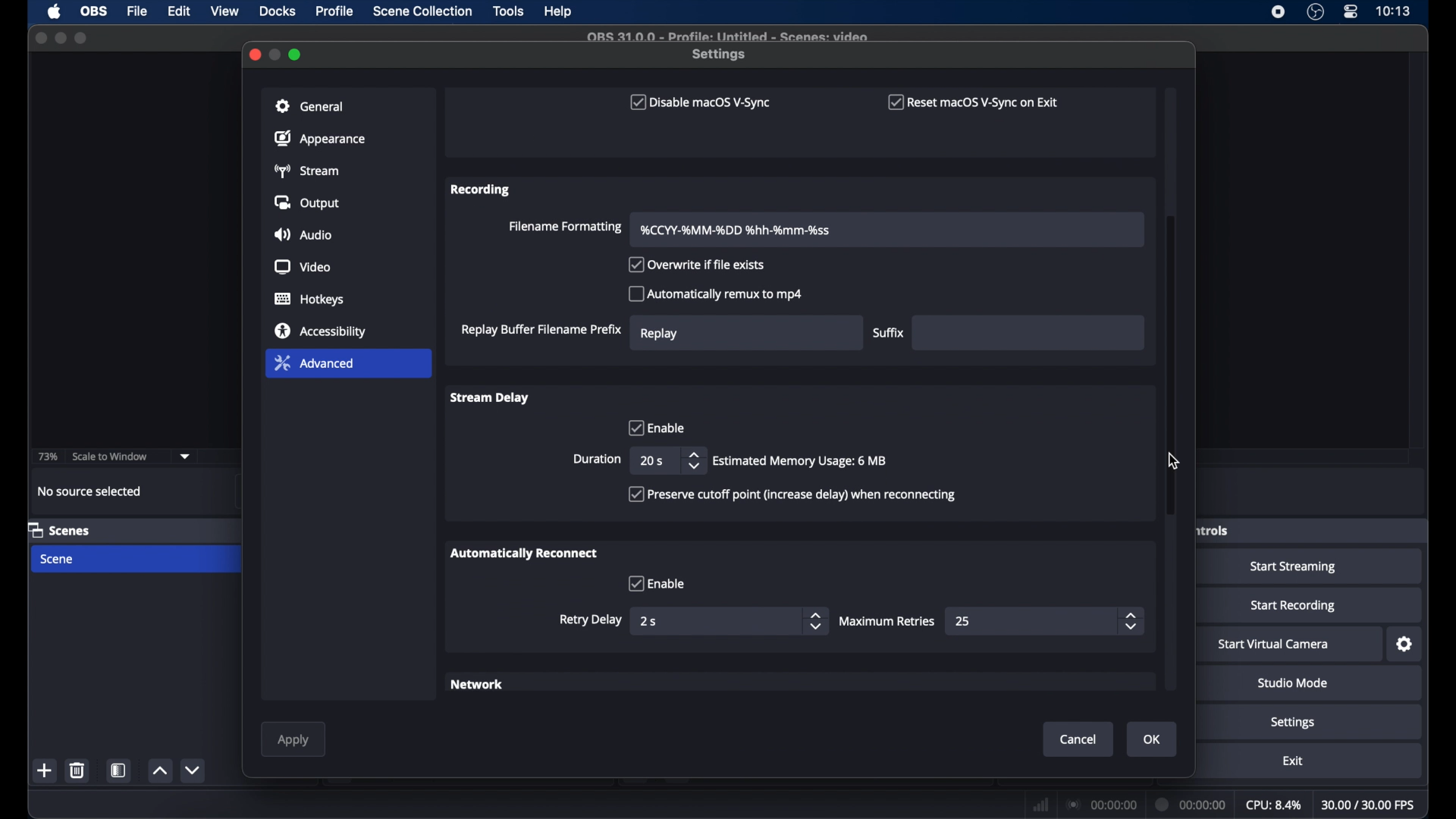 Image resolution: width=1456 pixels, height=819 pixels. I want to click on close, so click(41, 38).